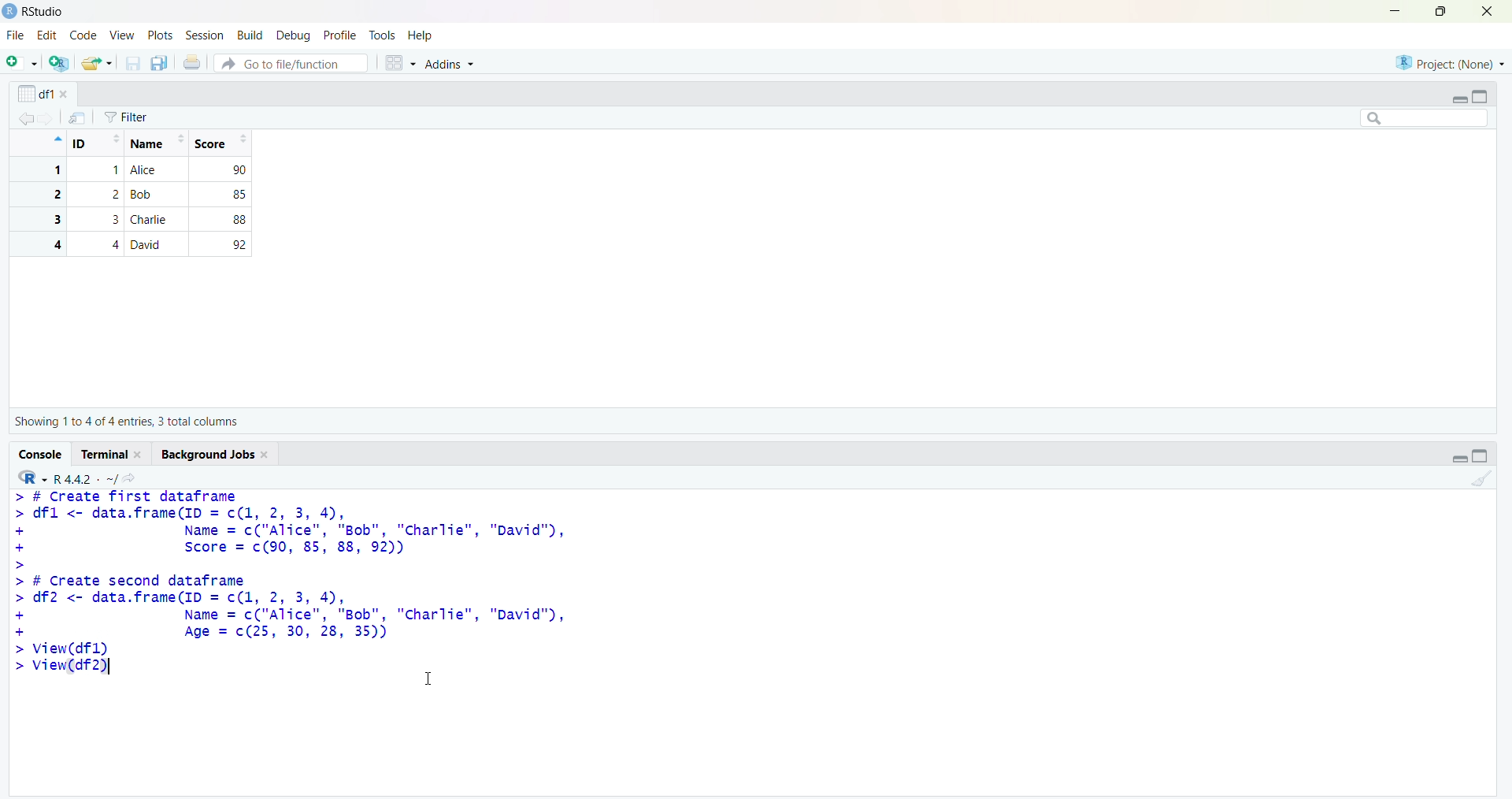 Image resolution: width=1512 pixels, height=799 pixels. What do you see at coordinates (42, 455) in the screenshot?
I see `Console` at bounding box center [42, 455].